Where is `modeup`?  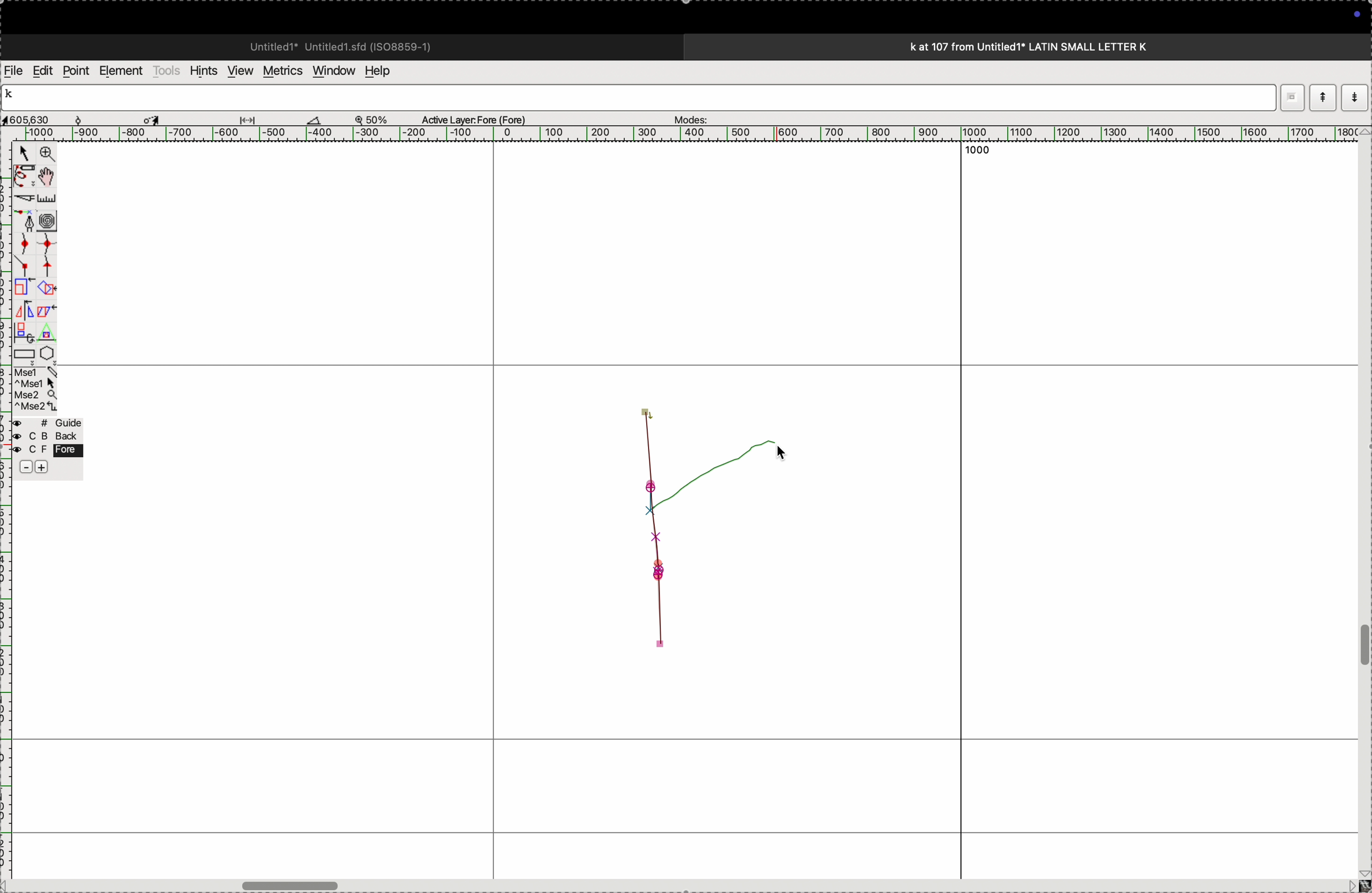 modeup is located at coordinates (1322, 97).